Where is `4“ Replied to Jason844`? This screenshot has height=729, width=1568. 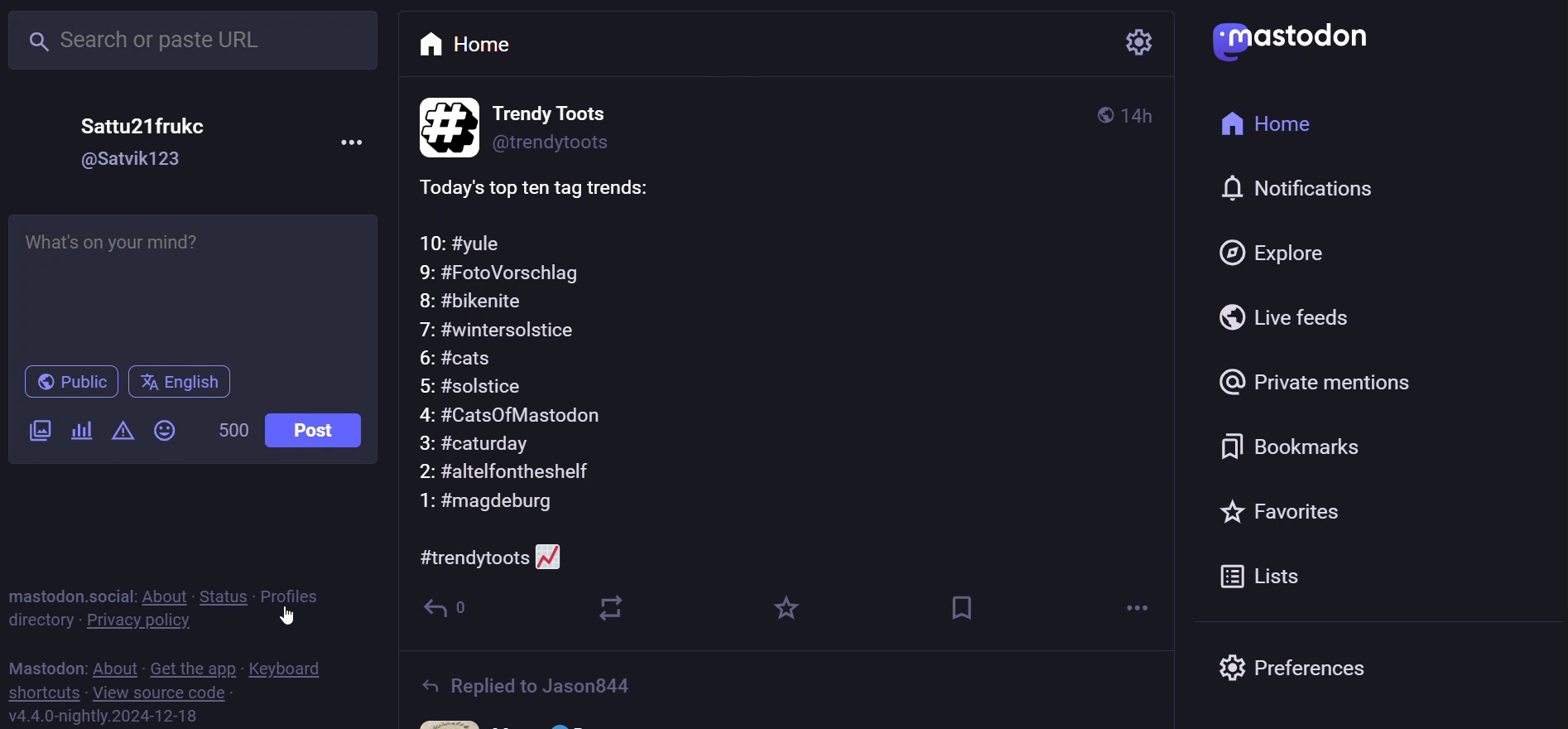 4“ Replied to Jason844 is located at coordinates (557, 688).